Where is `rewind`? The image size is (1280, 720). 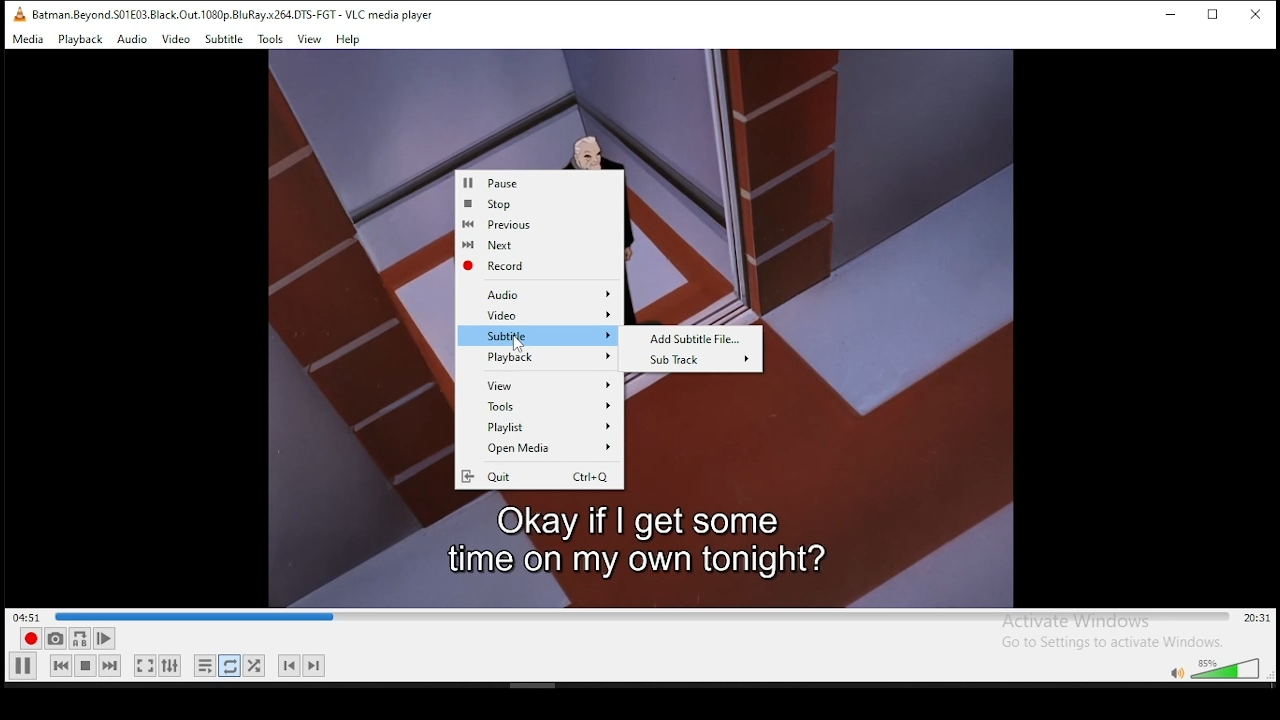 rewind is located at coordinates (61, 667).